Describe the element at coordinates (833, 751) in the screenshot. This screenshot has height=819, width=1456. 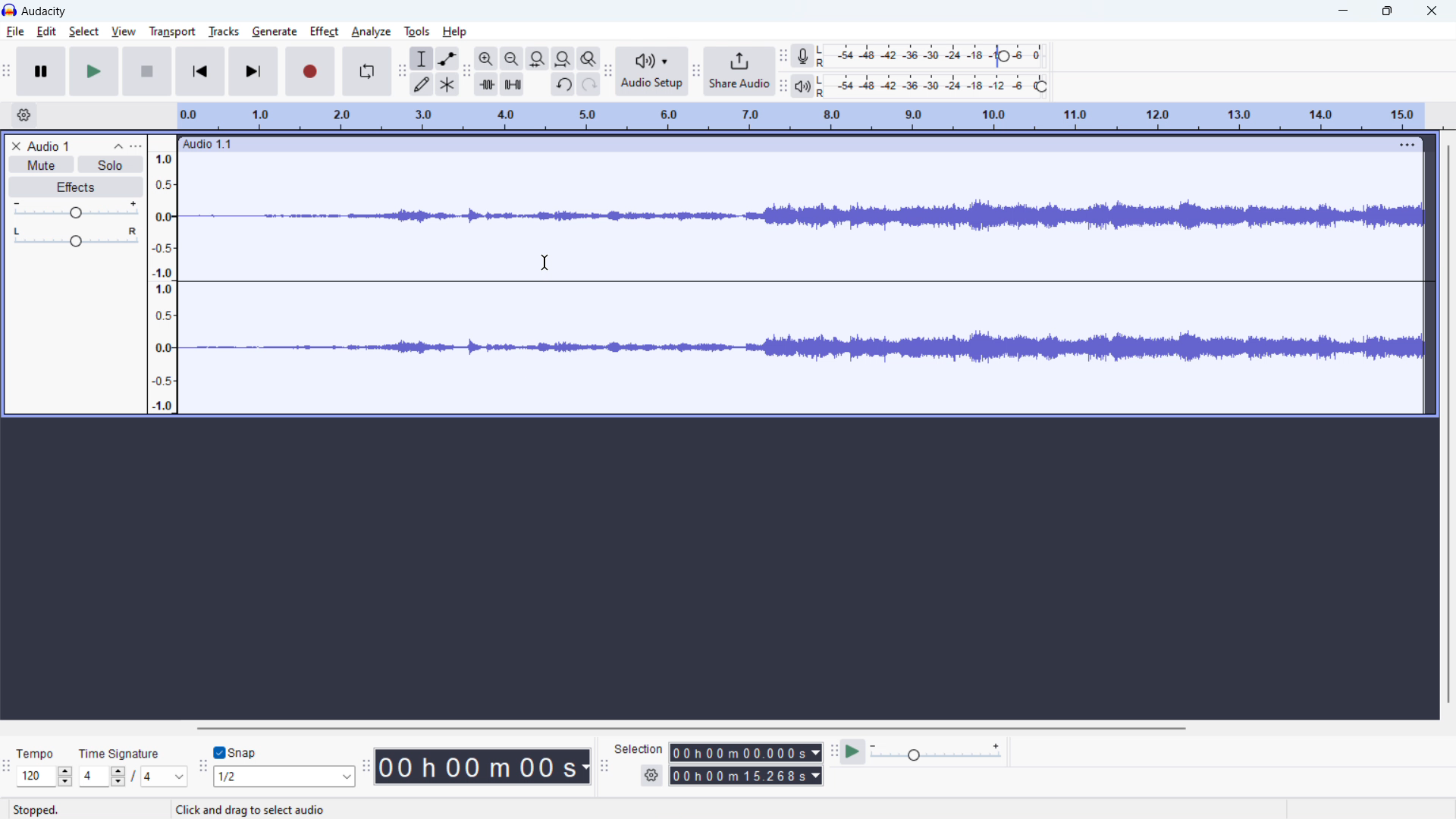
I see `play at speed toolbar` at that location.